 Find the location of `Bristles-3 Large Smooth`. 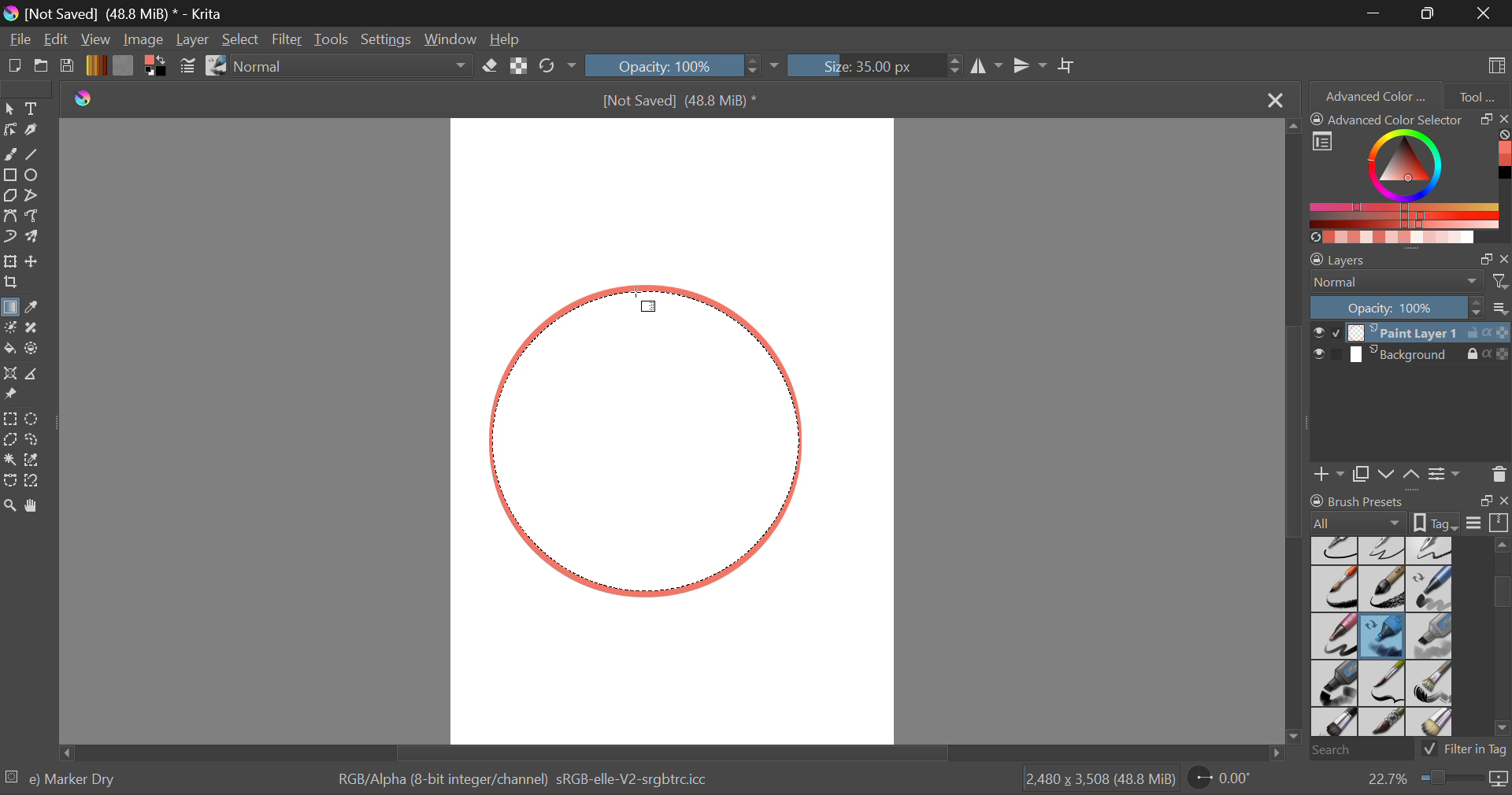

Bristles-3 Large Smooth is located at coordinates (1333, 723).